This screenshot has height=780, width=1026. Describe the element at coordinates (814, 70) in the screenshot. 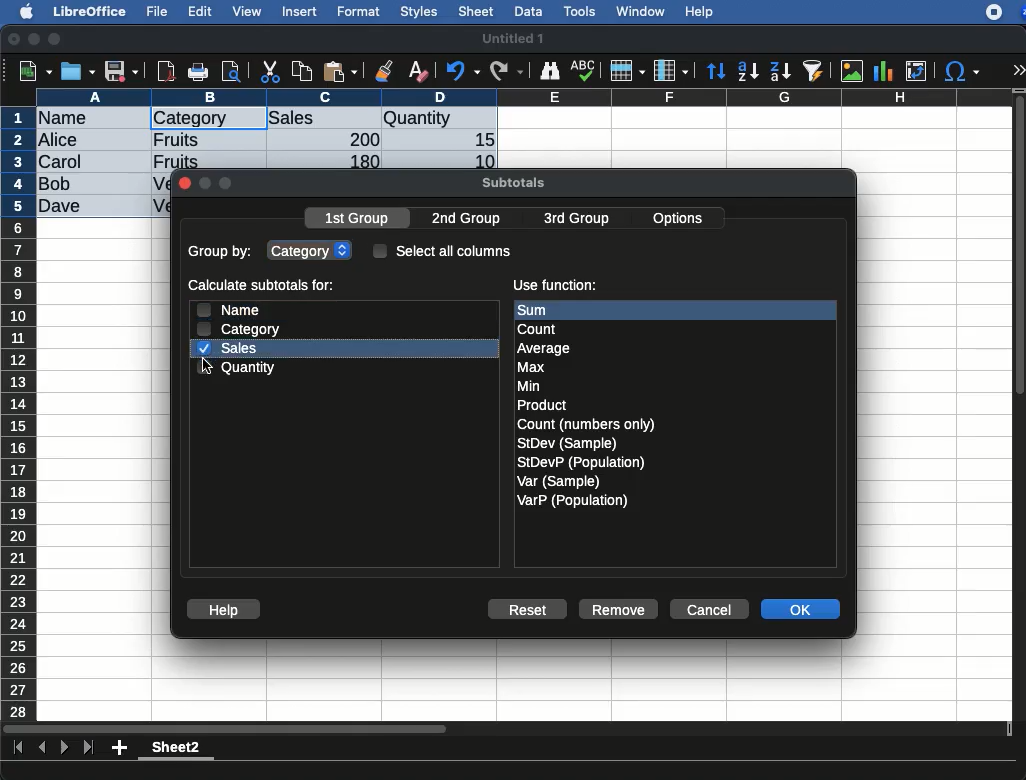

I see `autofilter` at that location.